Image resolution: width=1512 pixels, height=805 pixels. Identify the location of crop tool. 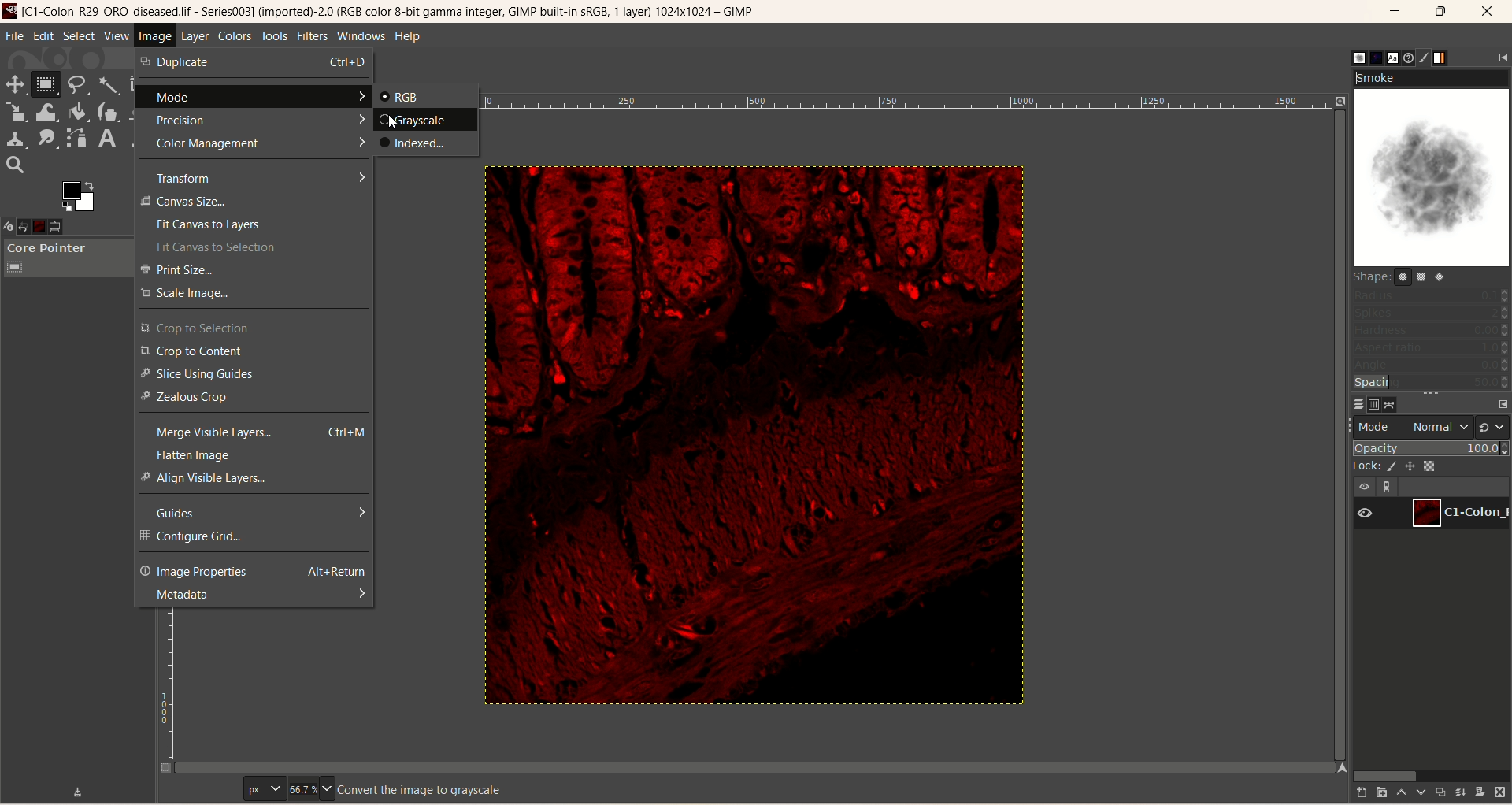
(135, 83).